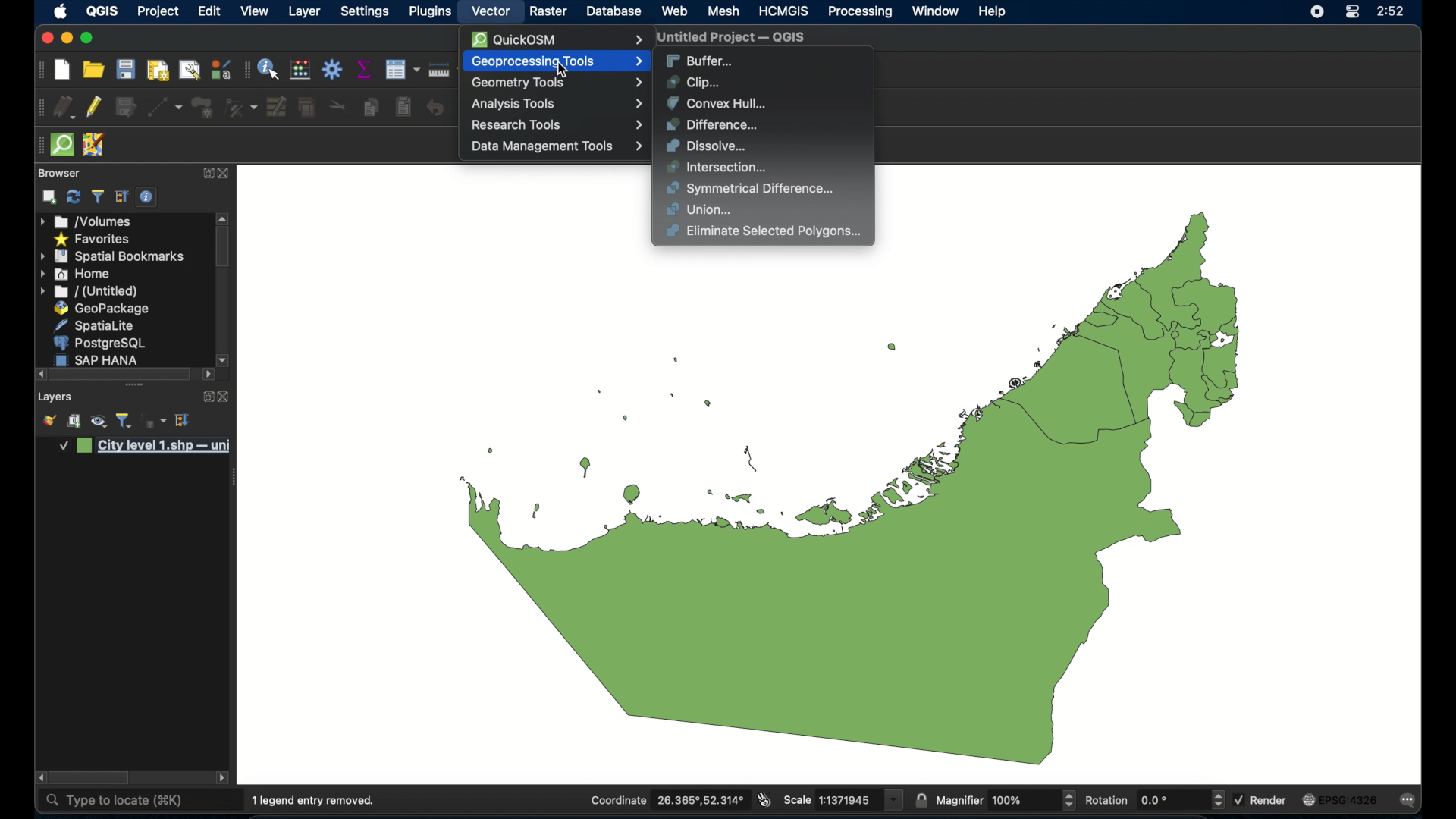 The image size is (1456, 819). I want to click on current edits, so click(64, 107).